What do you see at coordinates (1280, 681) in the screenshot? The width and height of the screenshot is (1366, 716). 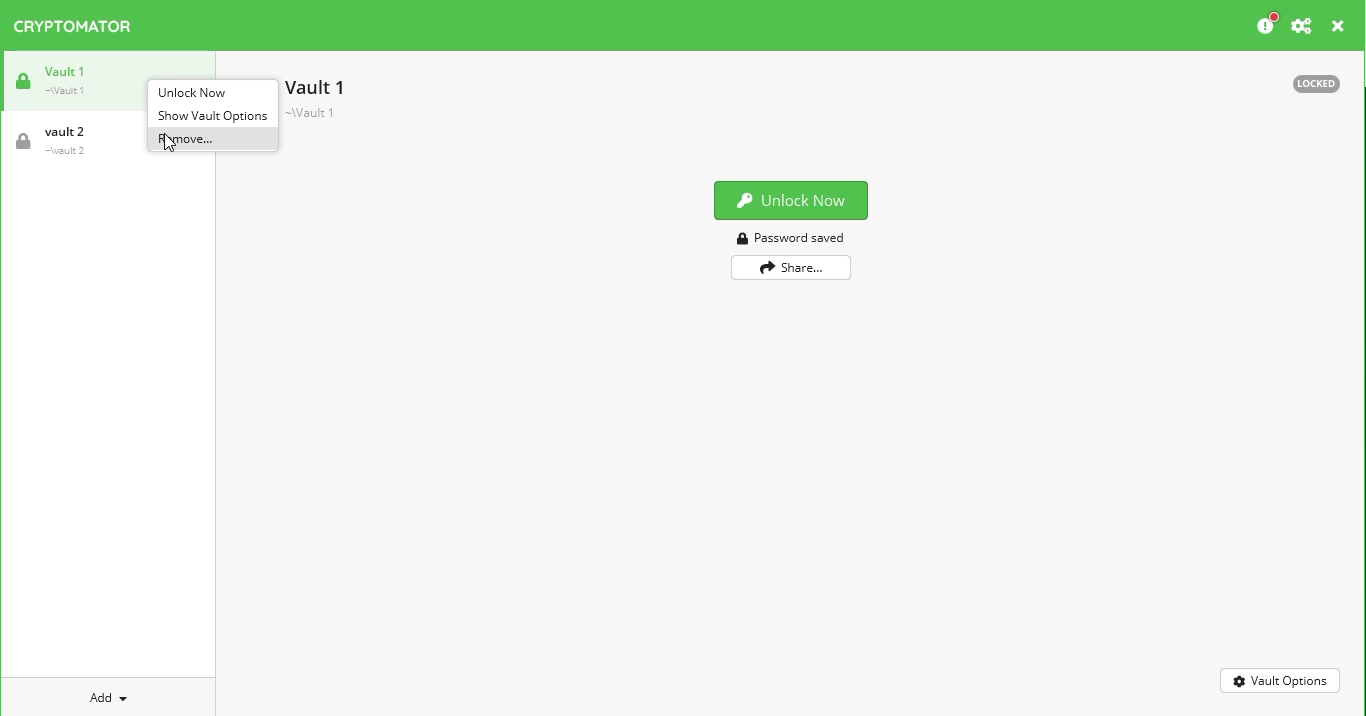 I see `vault options` at bounding box center [1280, 681].